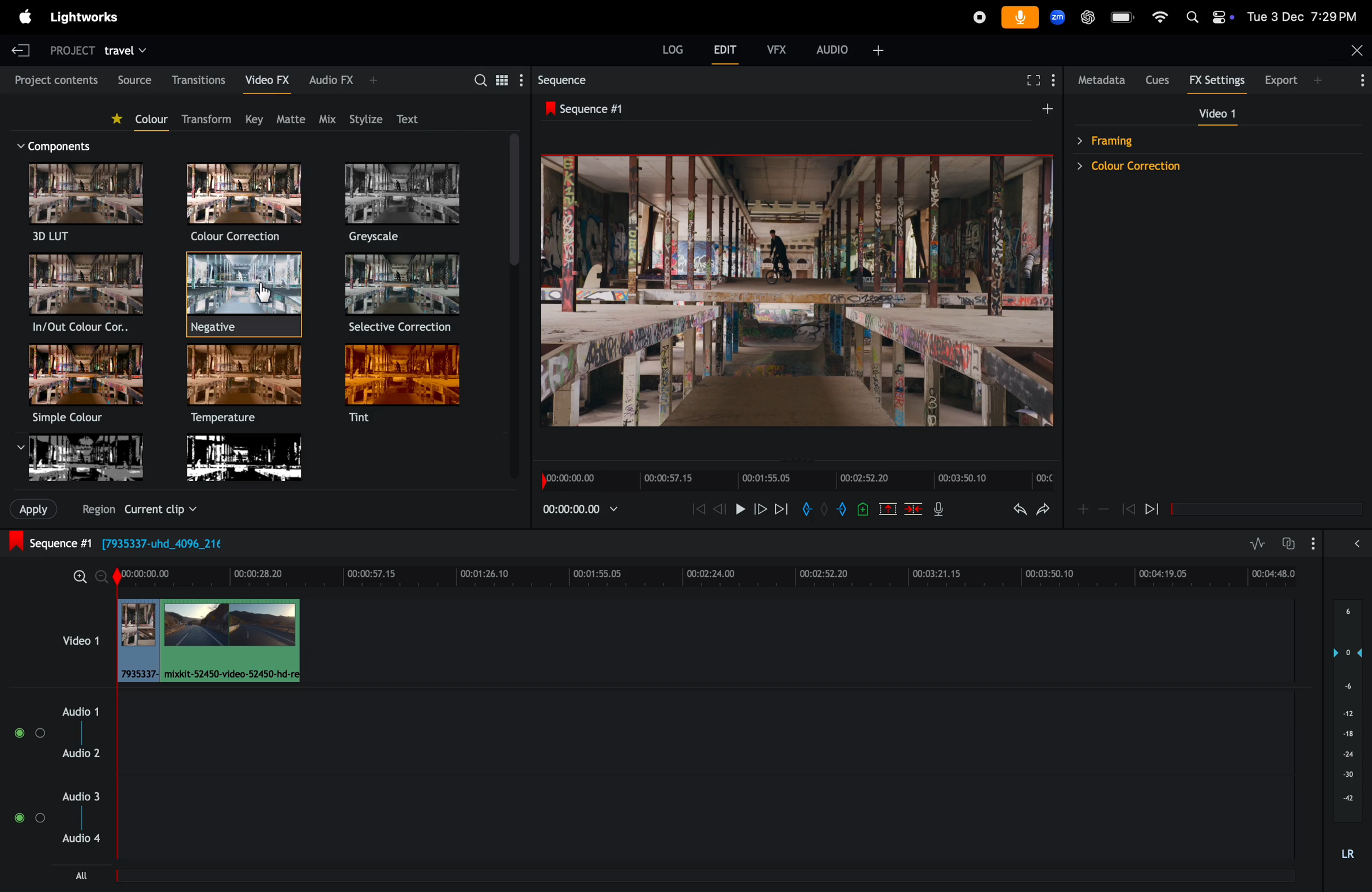  What do you see at coordinates (18, 16) in the screenshot?
I see `apple menu` at bounding box center [18, 16].